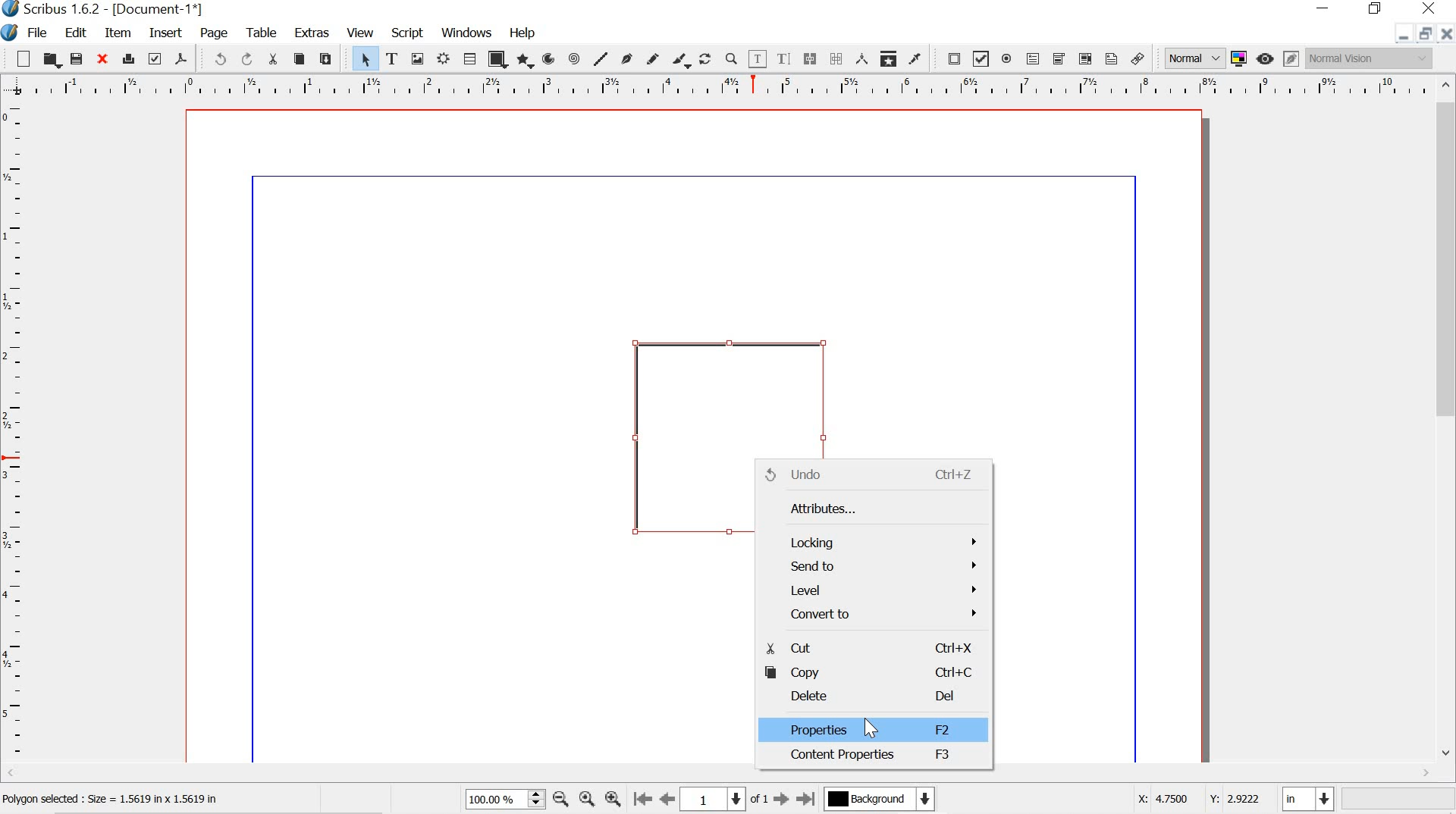 The width and height of the screenshot is (1456, 814). I want to click on line, so click(601, 58).